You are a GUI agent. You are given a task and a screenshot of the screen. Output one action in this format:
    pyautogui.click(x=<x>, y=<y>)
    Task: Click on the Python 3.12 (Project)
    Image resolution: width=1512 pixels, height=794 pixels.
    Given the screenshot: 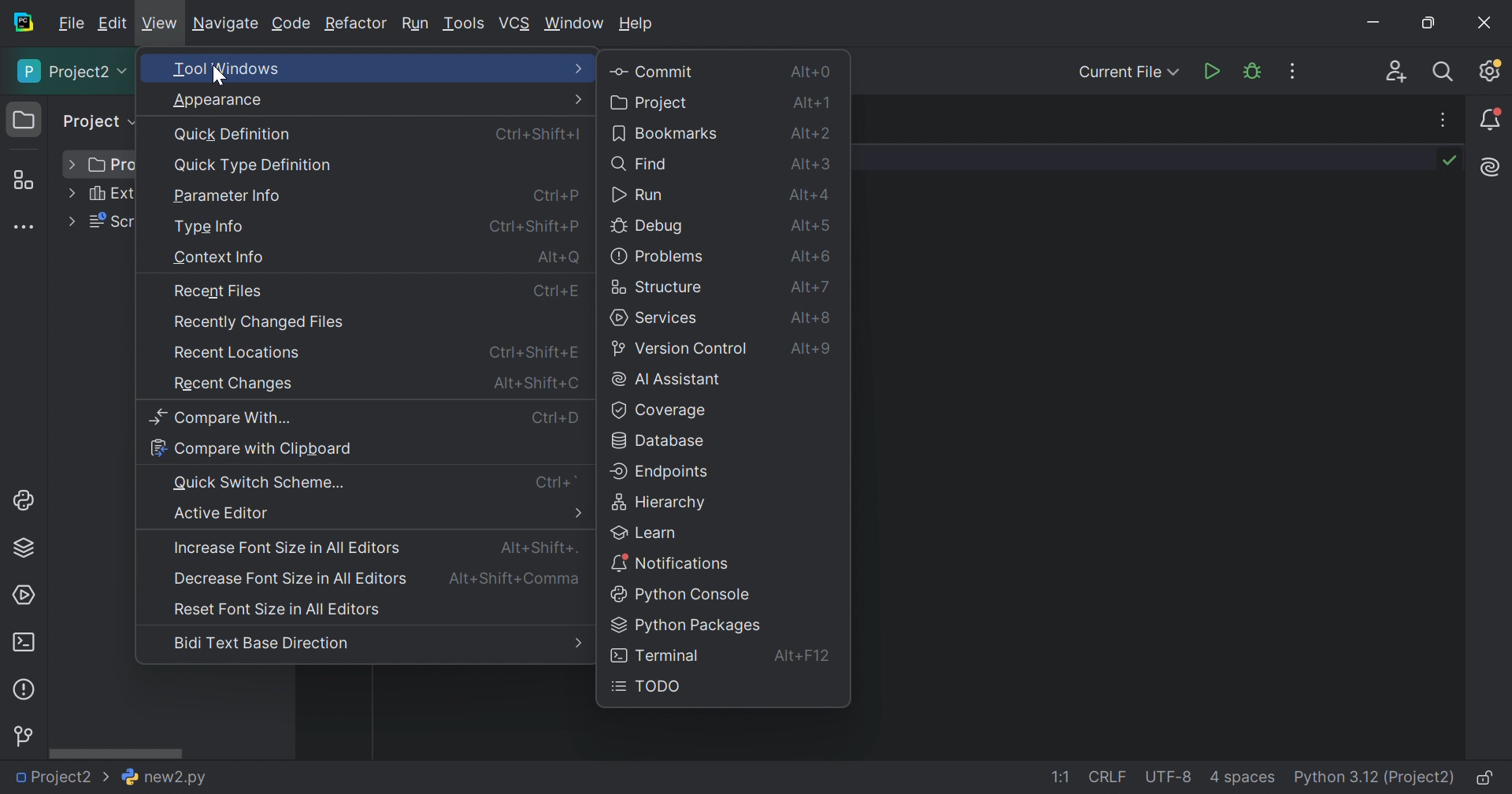 What is the action you would take?
    pyautogui.click(x=1375, y=777)
    